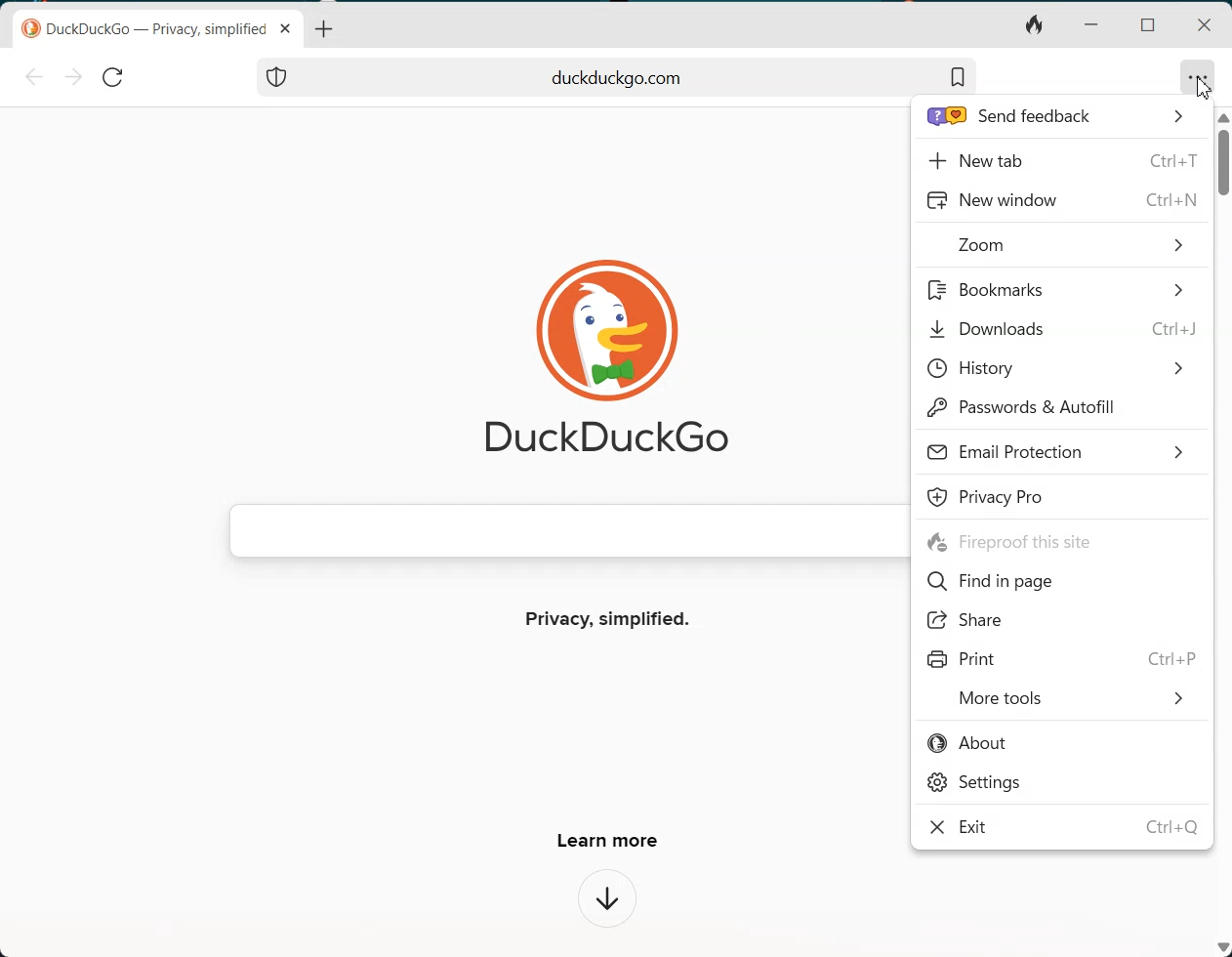  Describe the element at coordinates (1223, 531) in the screenshot. I see `Vertical scrollbar` at that location.